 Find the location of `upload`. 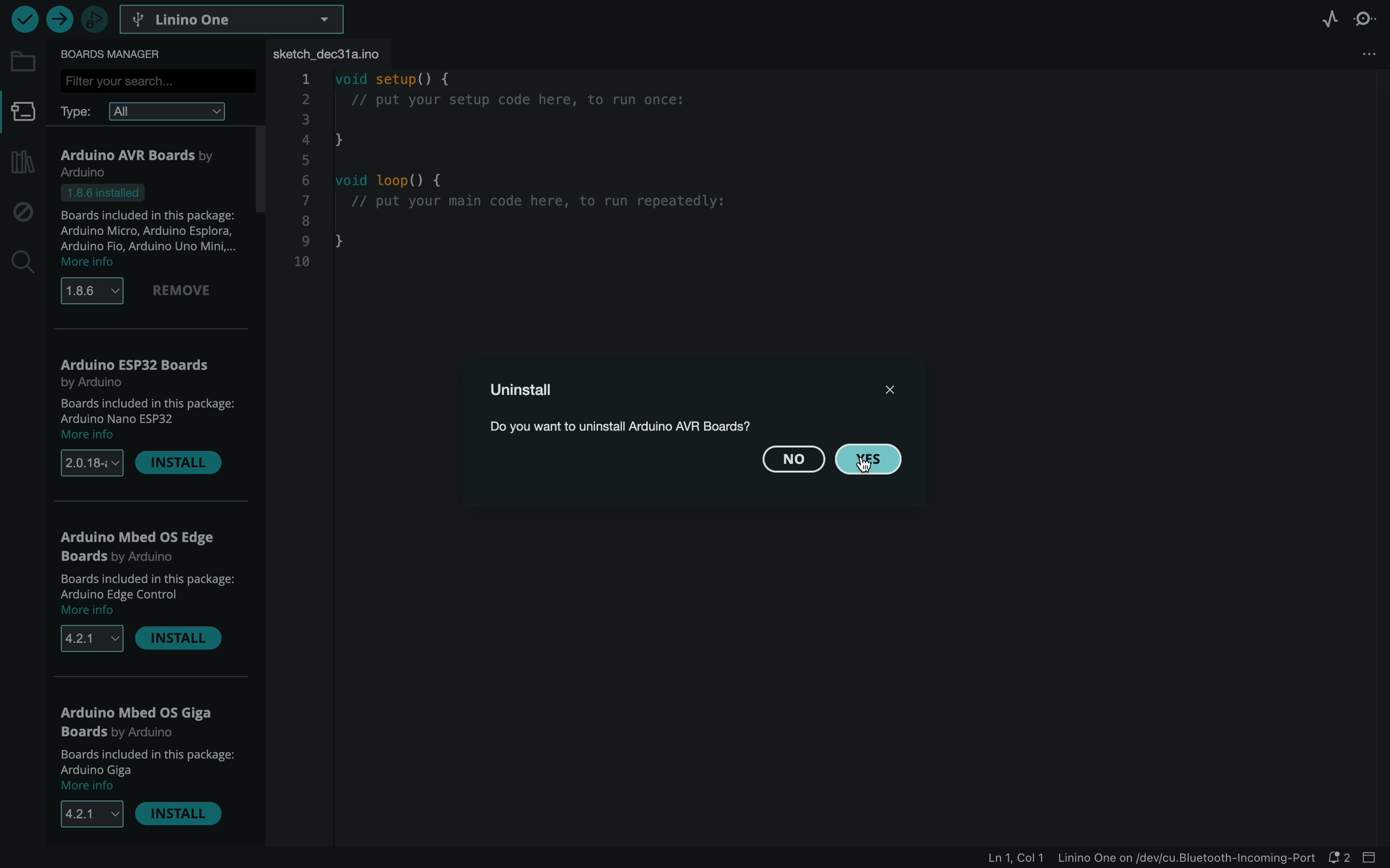

upload is located at coordinates (59, 22).